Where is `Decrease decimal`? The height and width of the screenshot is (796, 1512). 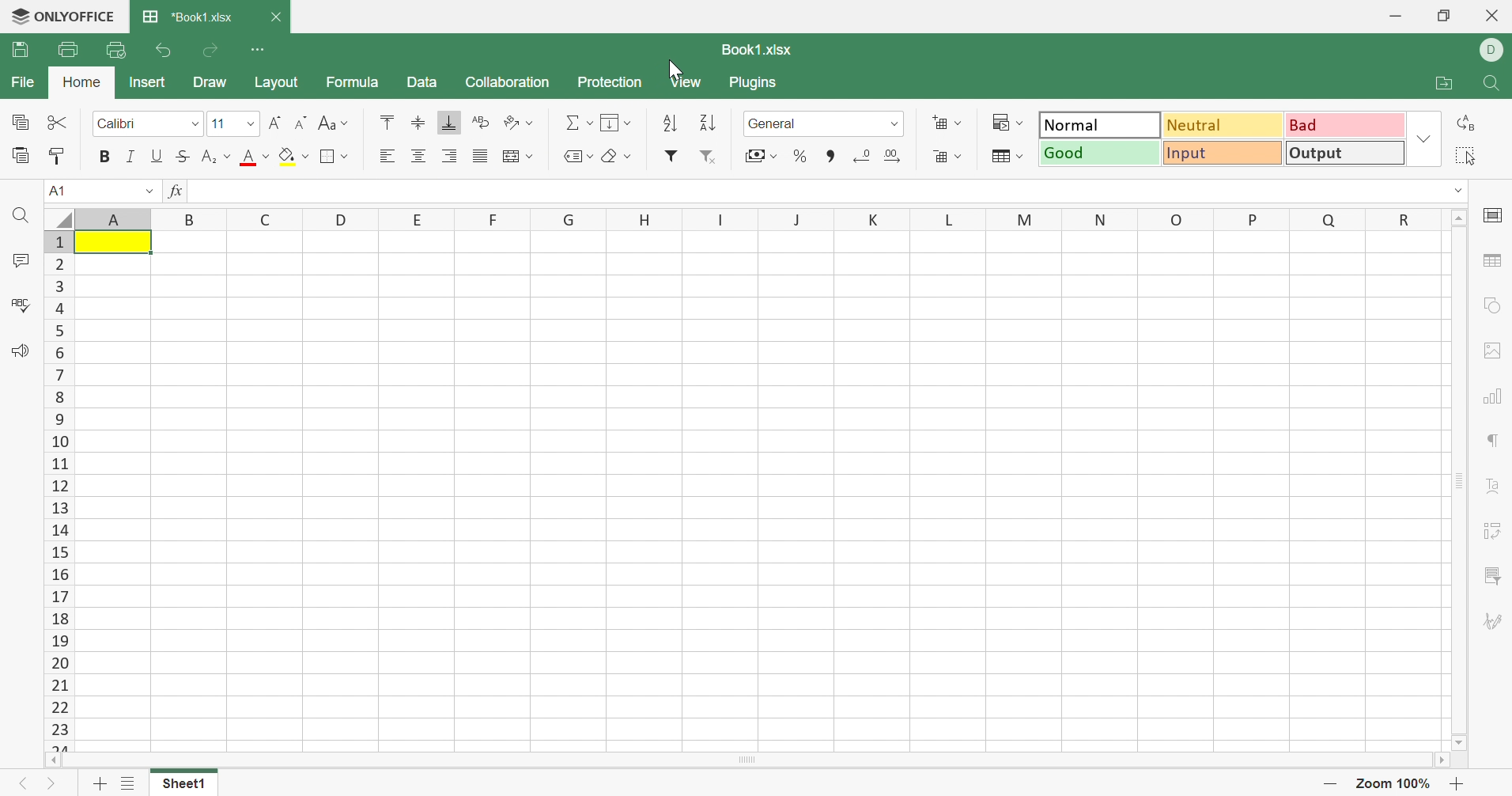
Decrease decimal is located at coordinates (860, 152).